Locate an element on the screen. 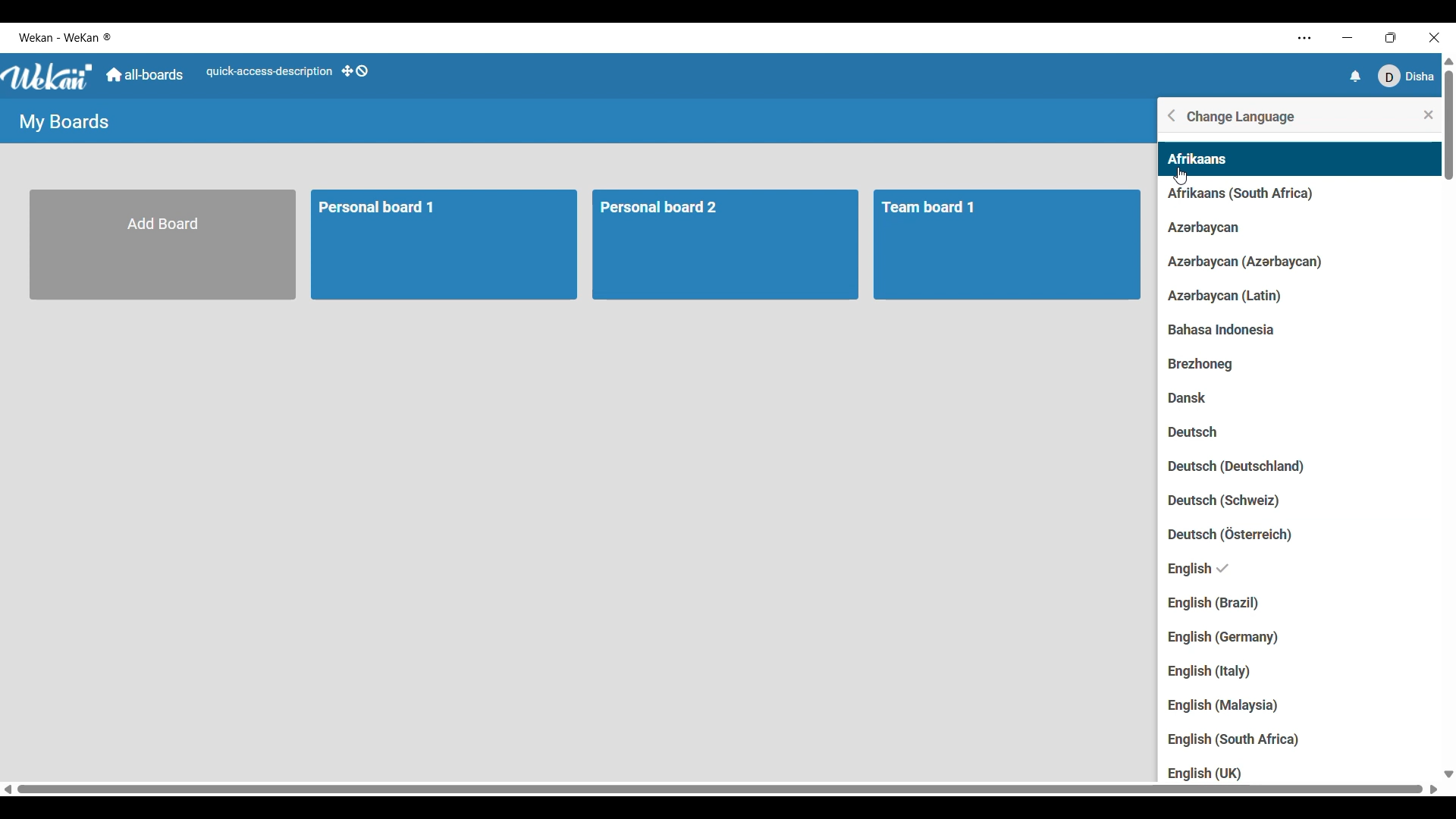 This screenshot has width=1456, height=819. Show desktop drag handles is located at coordinates (354, 71).